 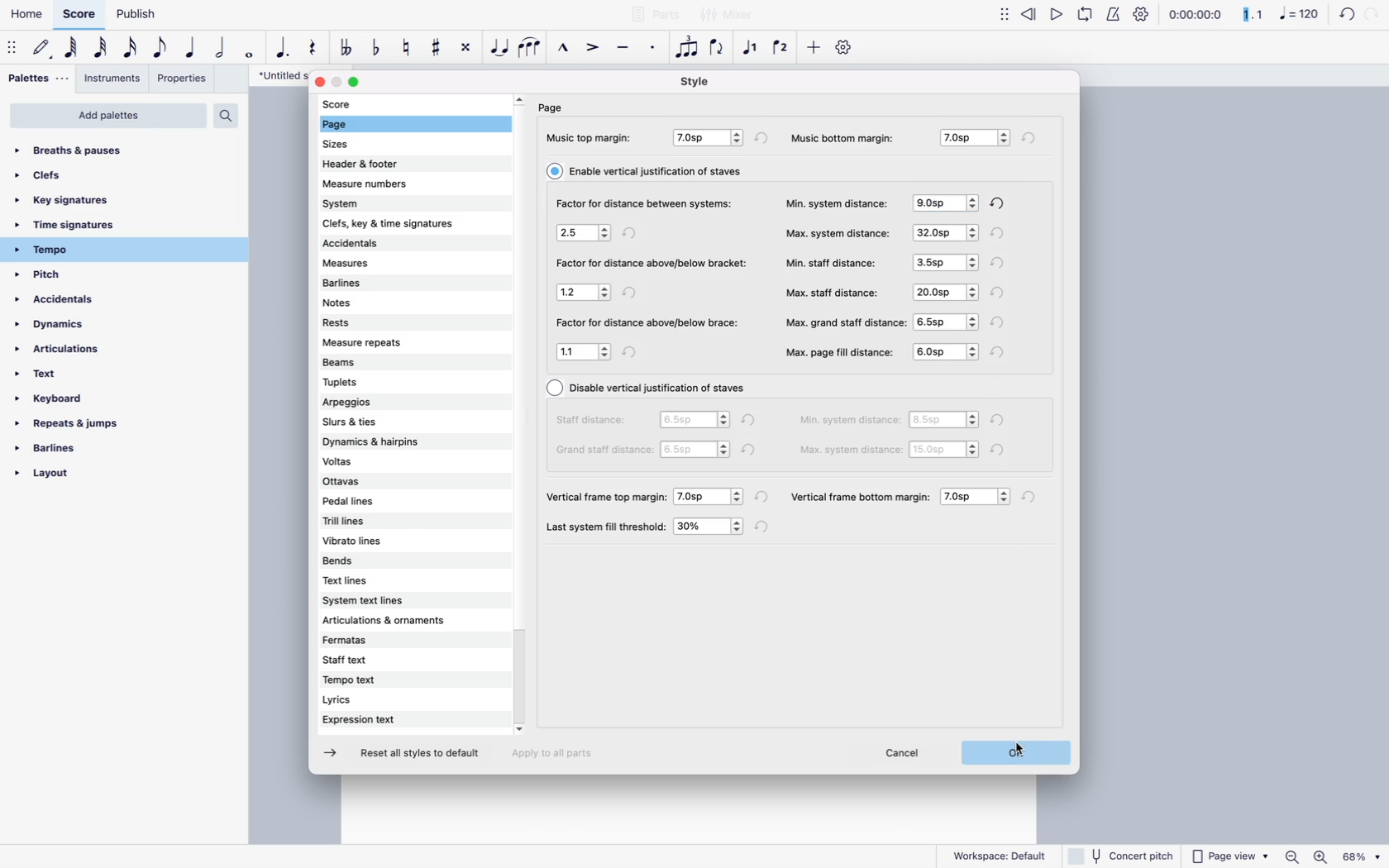 I want to click on arpeggios, so click(x=387, y=403).